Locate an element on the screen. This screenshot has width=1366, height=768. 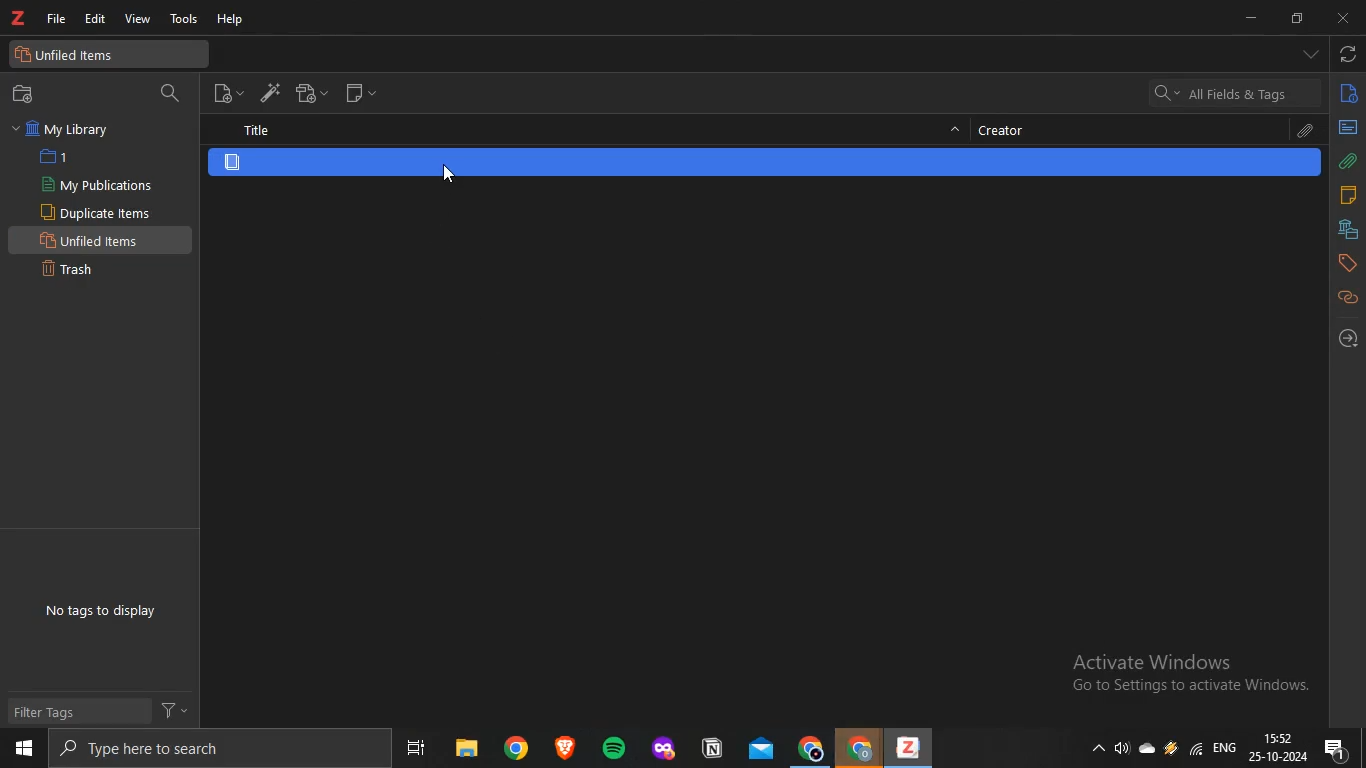
speakers is located at coordinates (1124, 749).